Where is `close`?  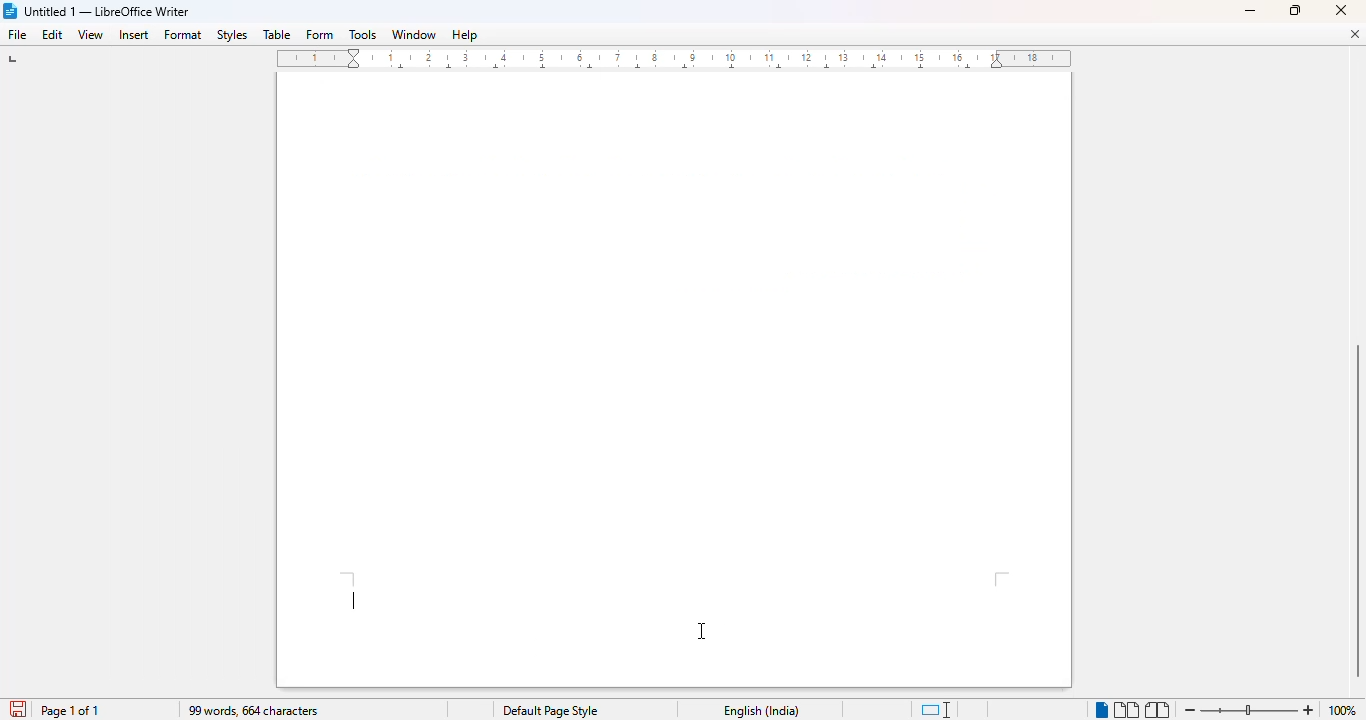 close is located at coordinates (1343, 10).